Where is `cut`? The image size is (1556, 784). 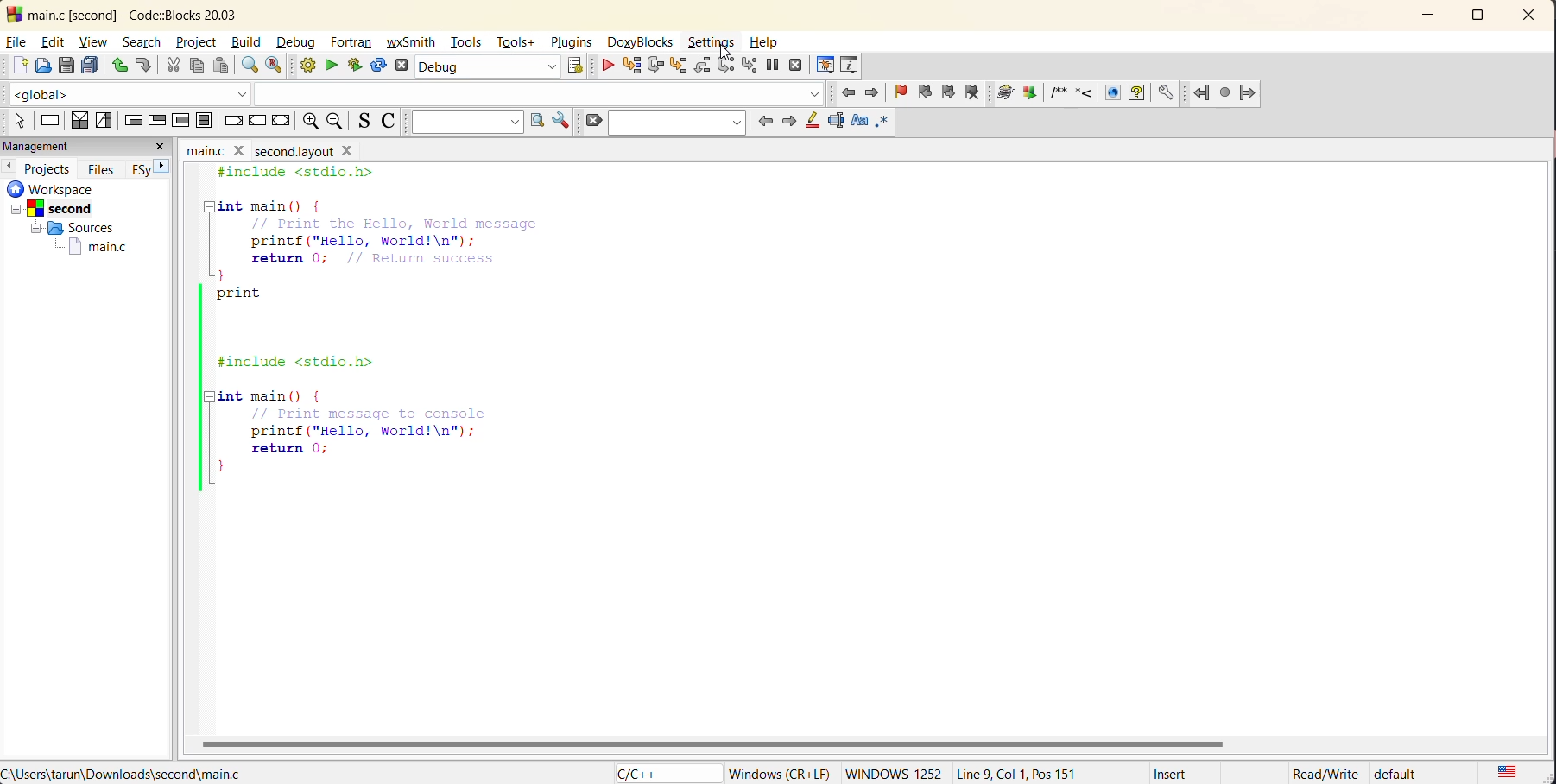
cut is located at coordinates (169, 65).